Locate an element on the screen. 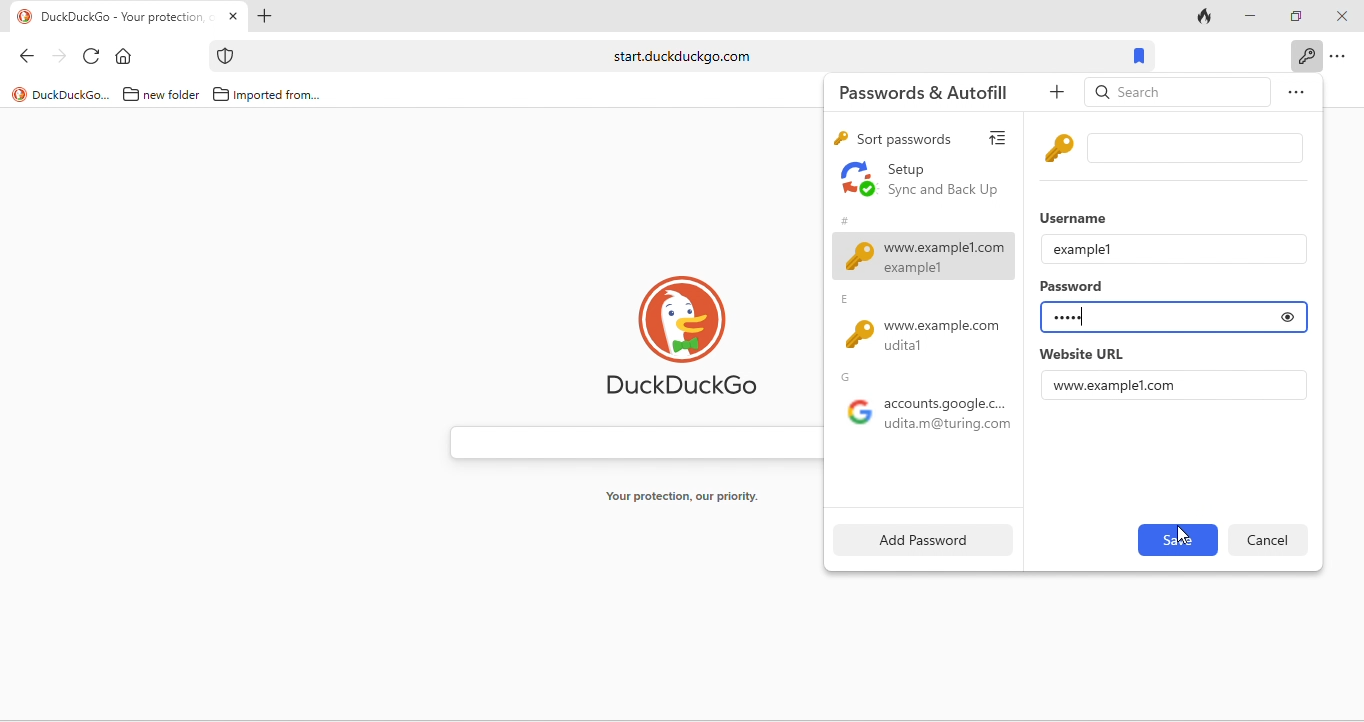  option is located at coordinates (1292, 95).